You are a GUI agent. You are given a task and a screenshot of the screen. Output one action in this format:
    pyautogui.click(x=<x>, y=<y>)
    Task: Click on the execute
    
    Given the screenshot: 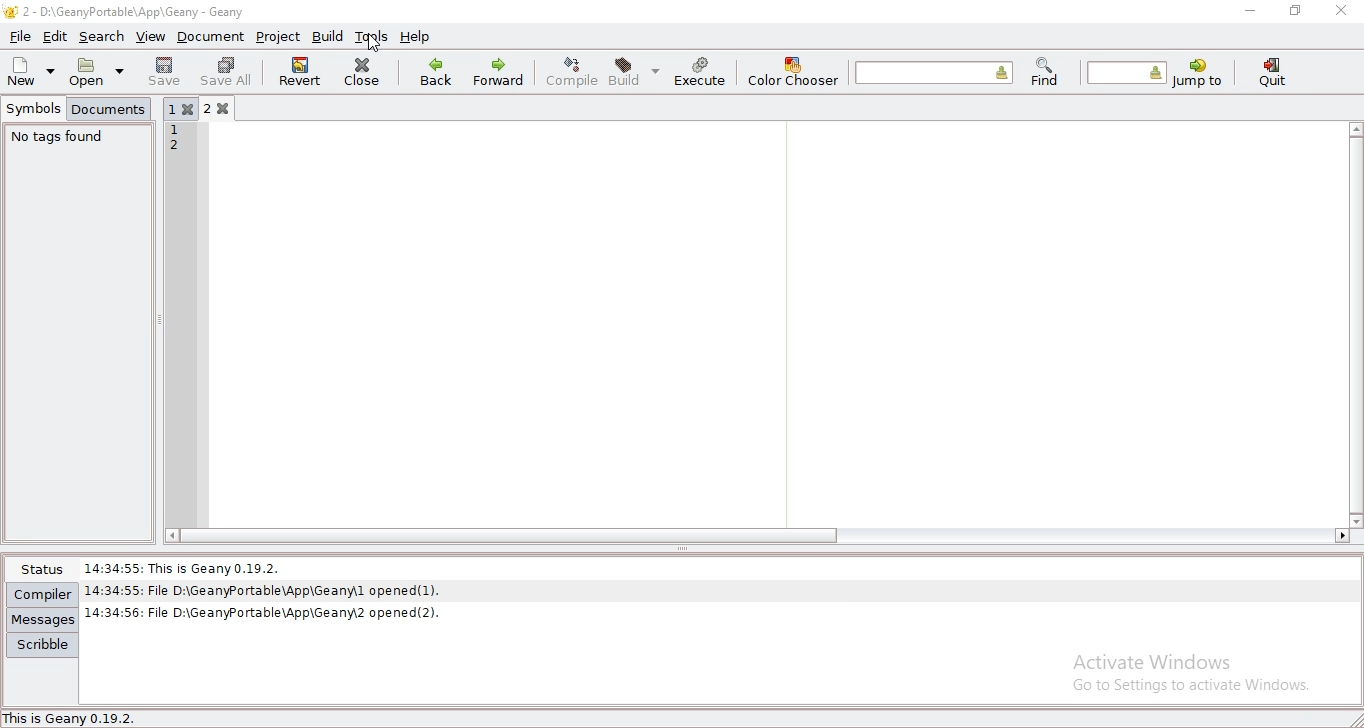 What is the action you would take?
    pyautogui.click(x=701, y=72)
    